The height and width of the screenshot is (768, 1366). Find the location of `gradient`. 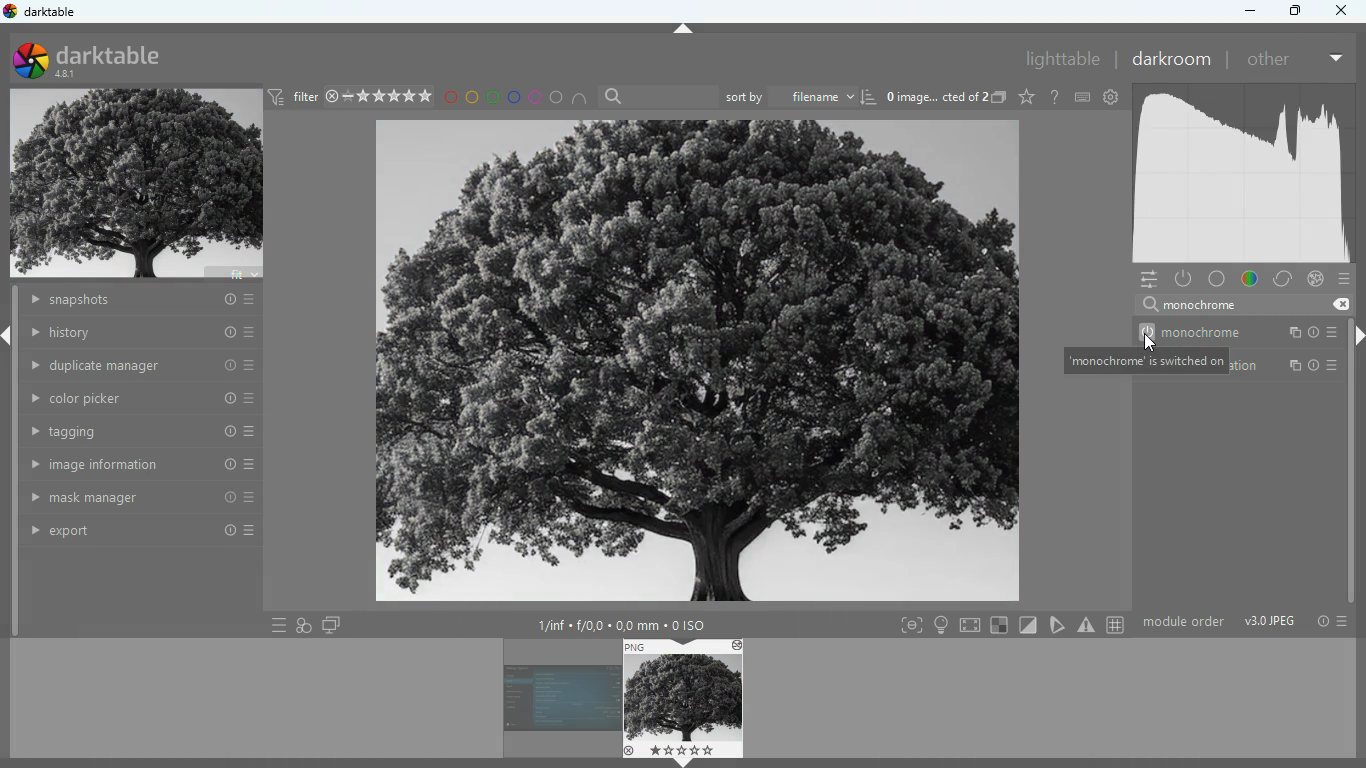

gradient is located at coordinates (1240, 170).